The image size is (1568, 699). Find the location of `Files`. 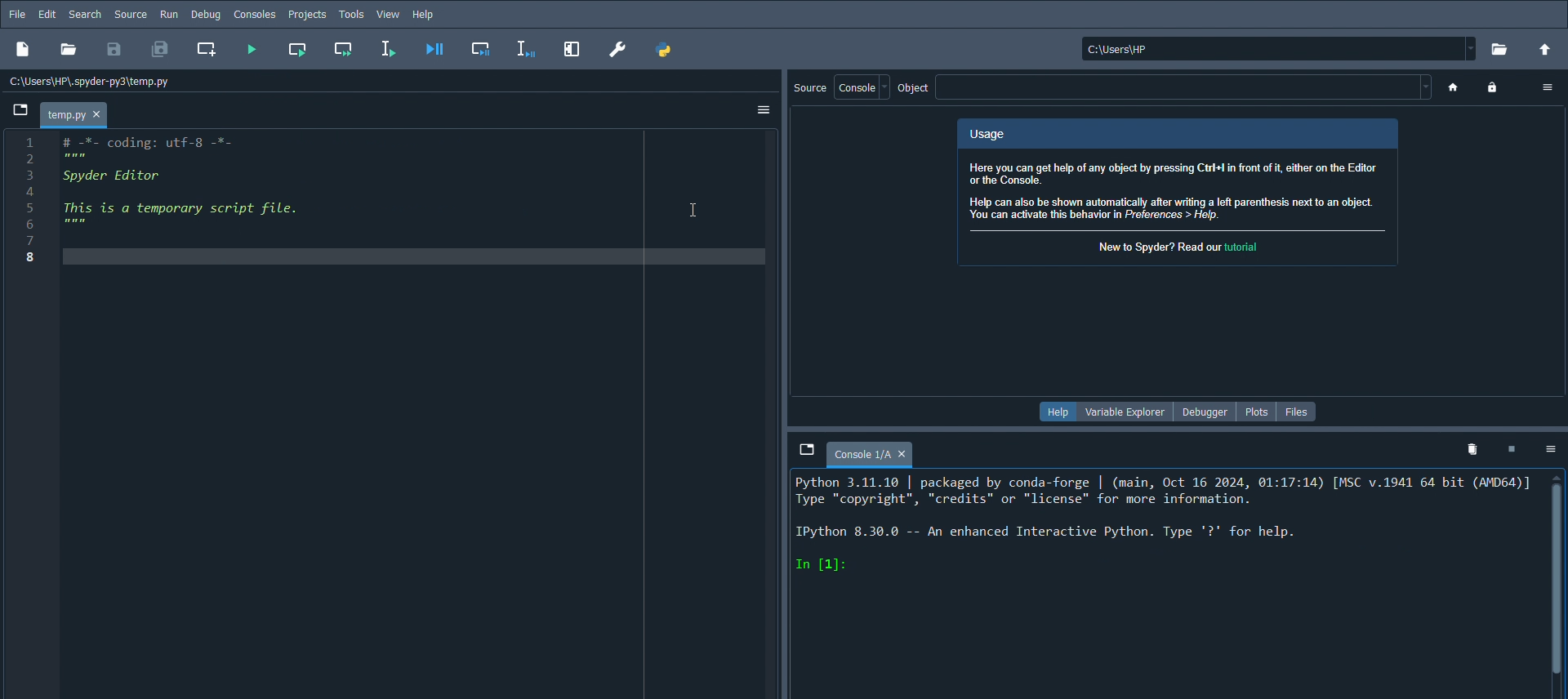

Files is located at coordinates (1294, 411).